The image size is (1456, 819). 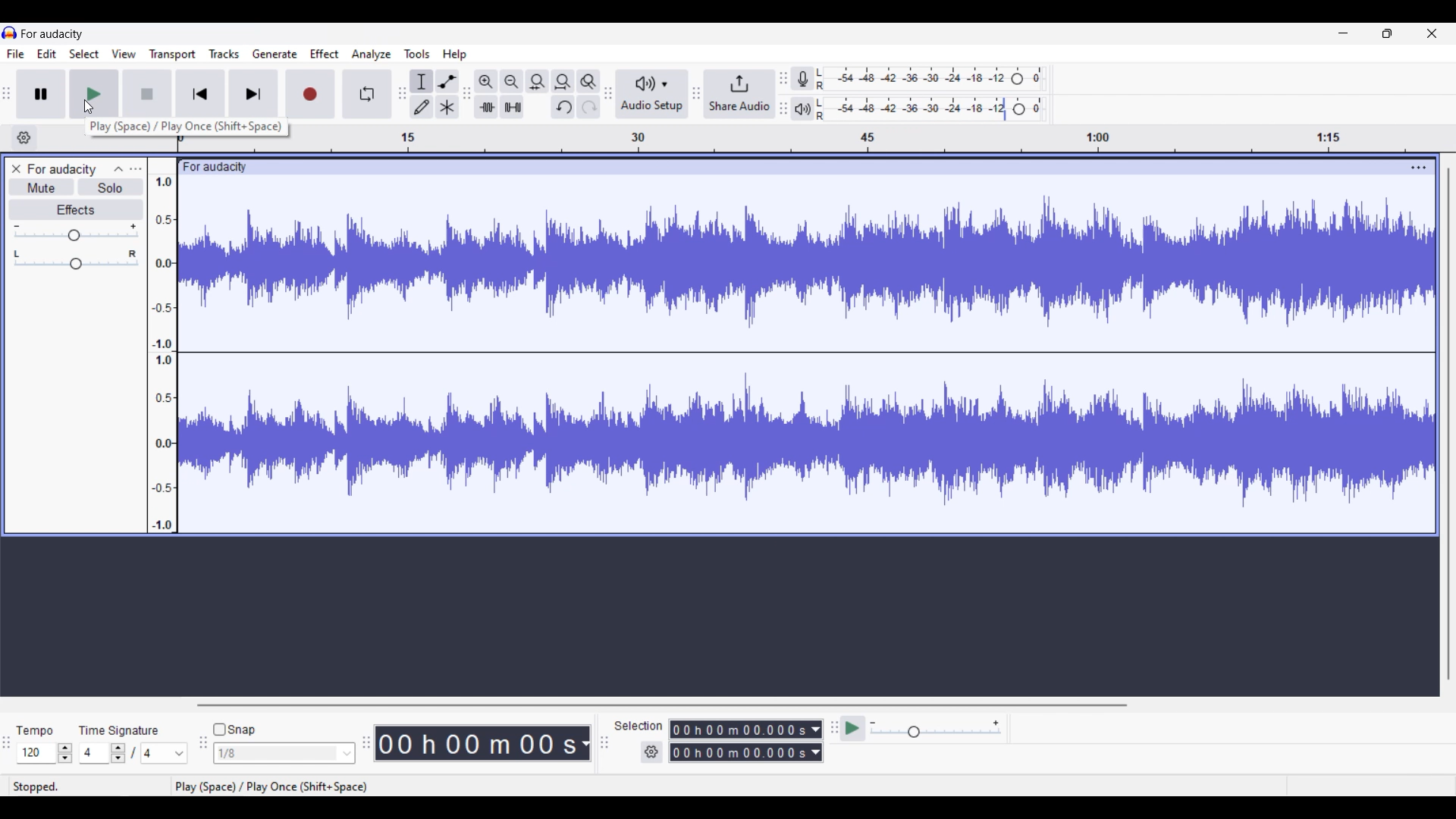 I want to click on Playback meter, so click(x=803, y=108).